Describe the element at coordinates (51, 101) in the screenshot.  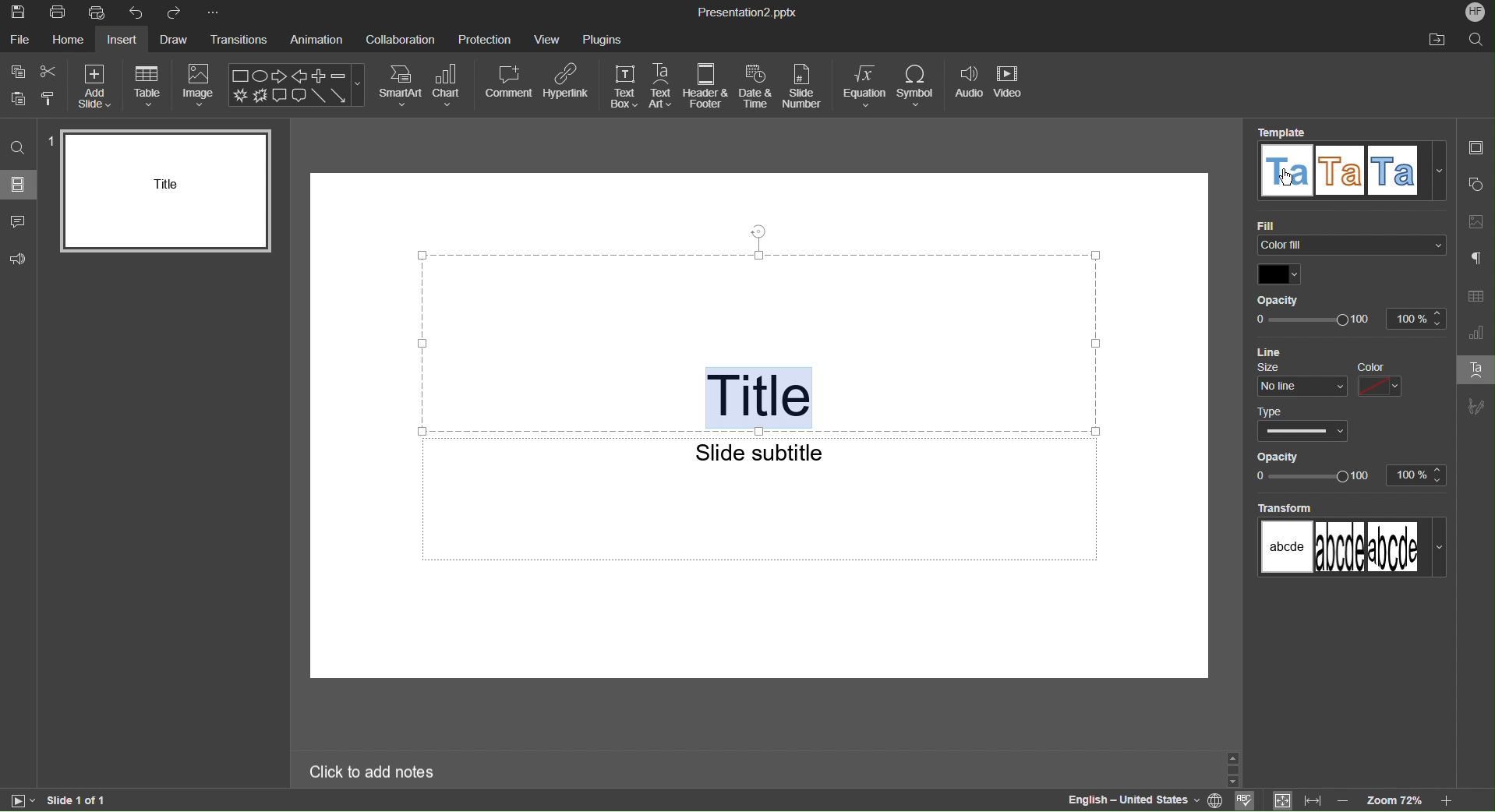
I see `clone formatting` at that location.